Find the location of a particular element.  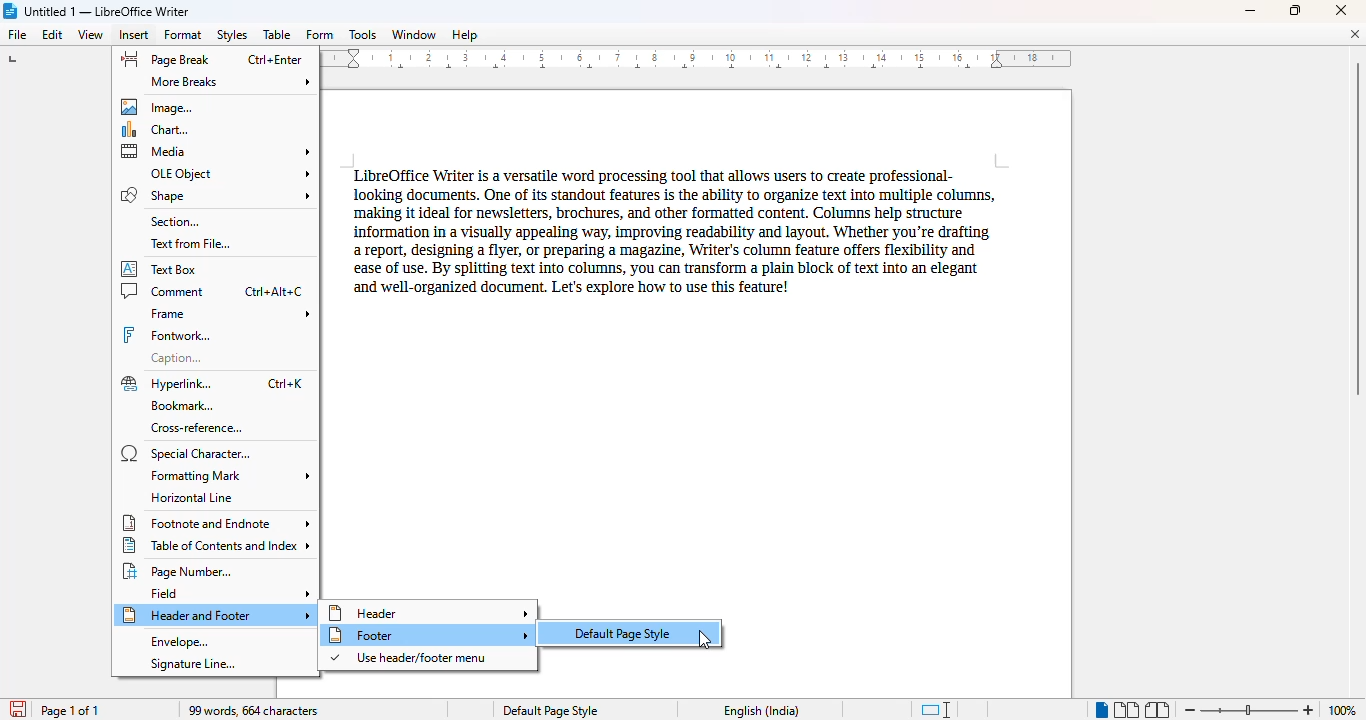

field is located at coordinates (231, 593).